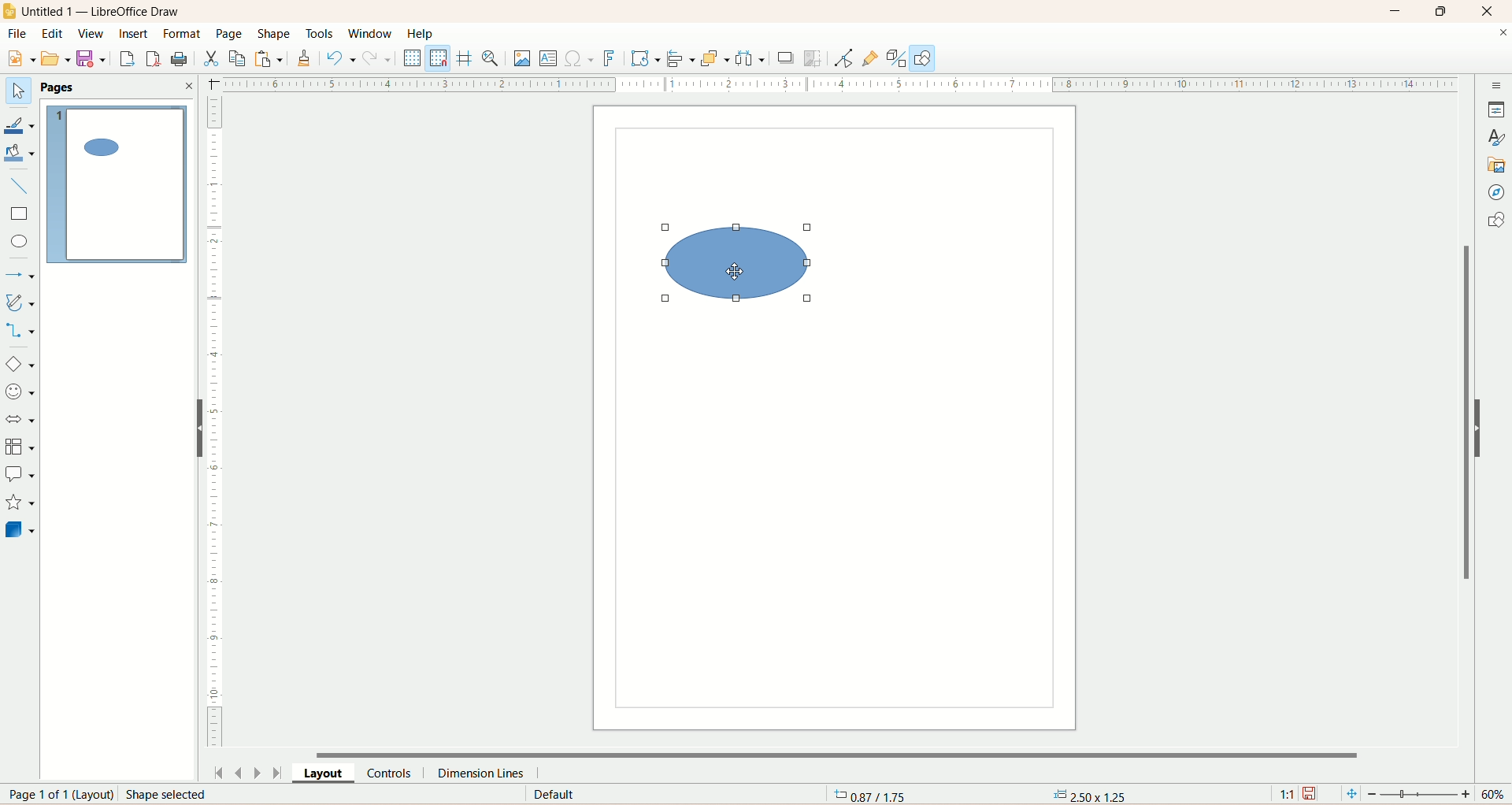  What do you see at coordinates (131, 34) in the screenshot?
I see `insert` at bounding box center [131, 34].